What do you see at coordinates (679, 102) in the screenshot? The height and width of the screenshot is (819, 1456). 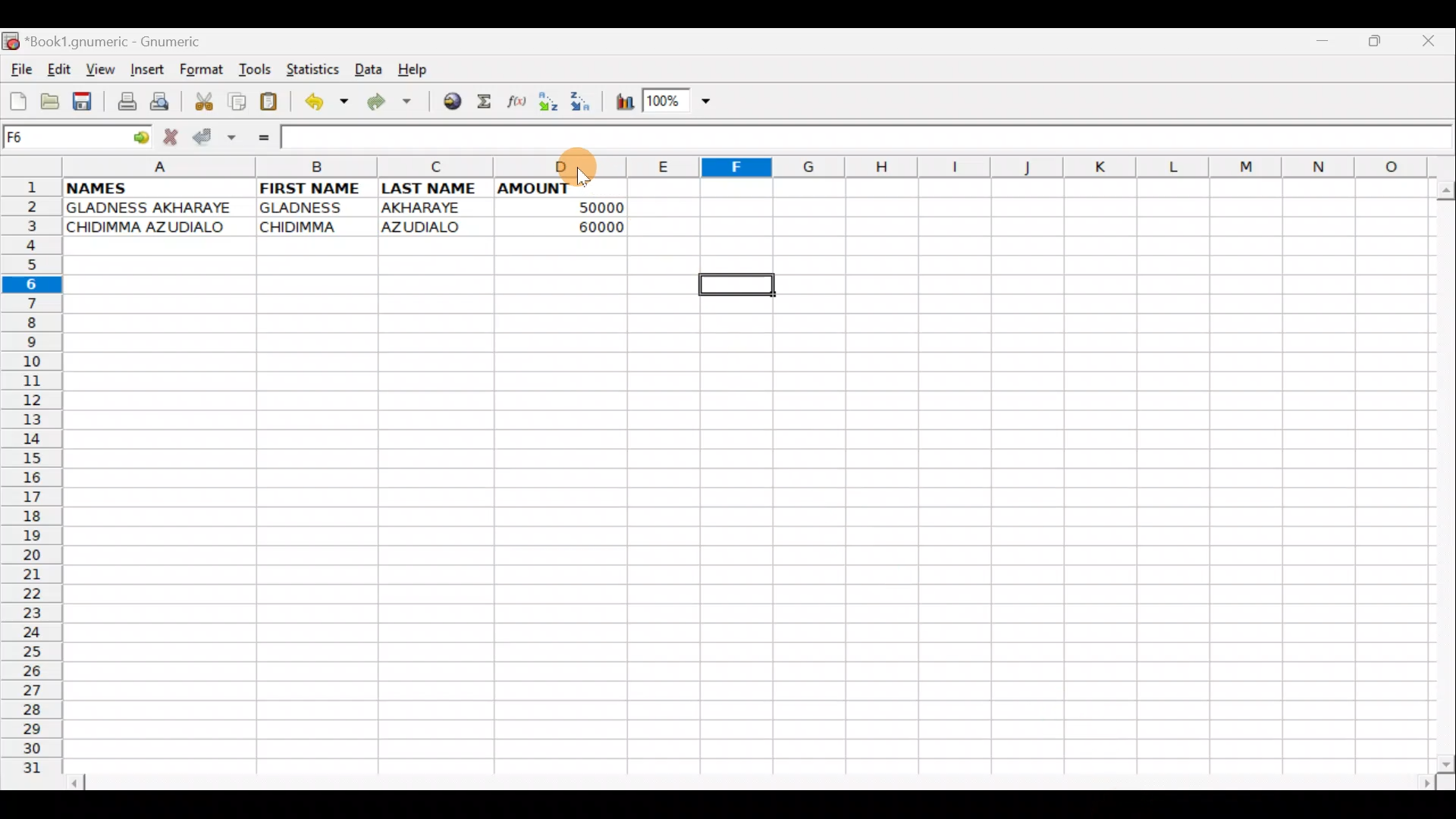 I see `Zoom` at bounding box center [679, 102].